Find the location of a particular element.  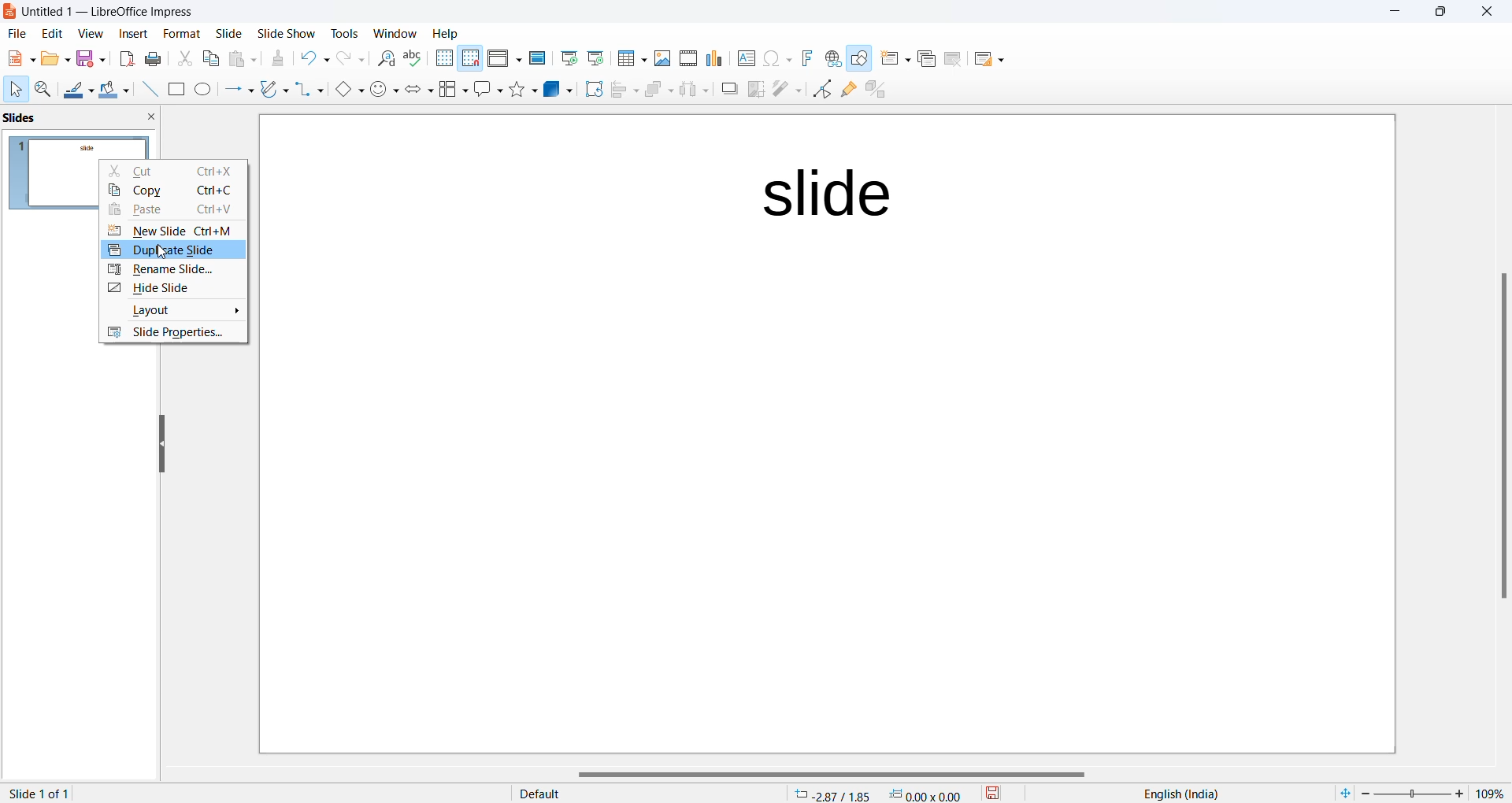

filter is located at coordinates (786, 90).